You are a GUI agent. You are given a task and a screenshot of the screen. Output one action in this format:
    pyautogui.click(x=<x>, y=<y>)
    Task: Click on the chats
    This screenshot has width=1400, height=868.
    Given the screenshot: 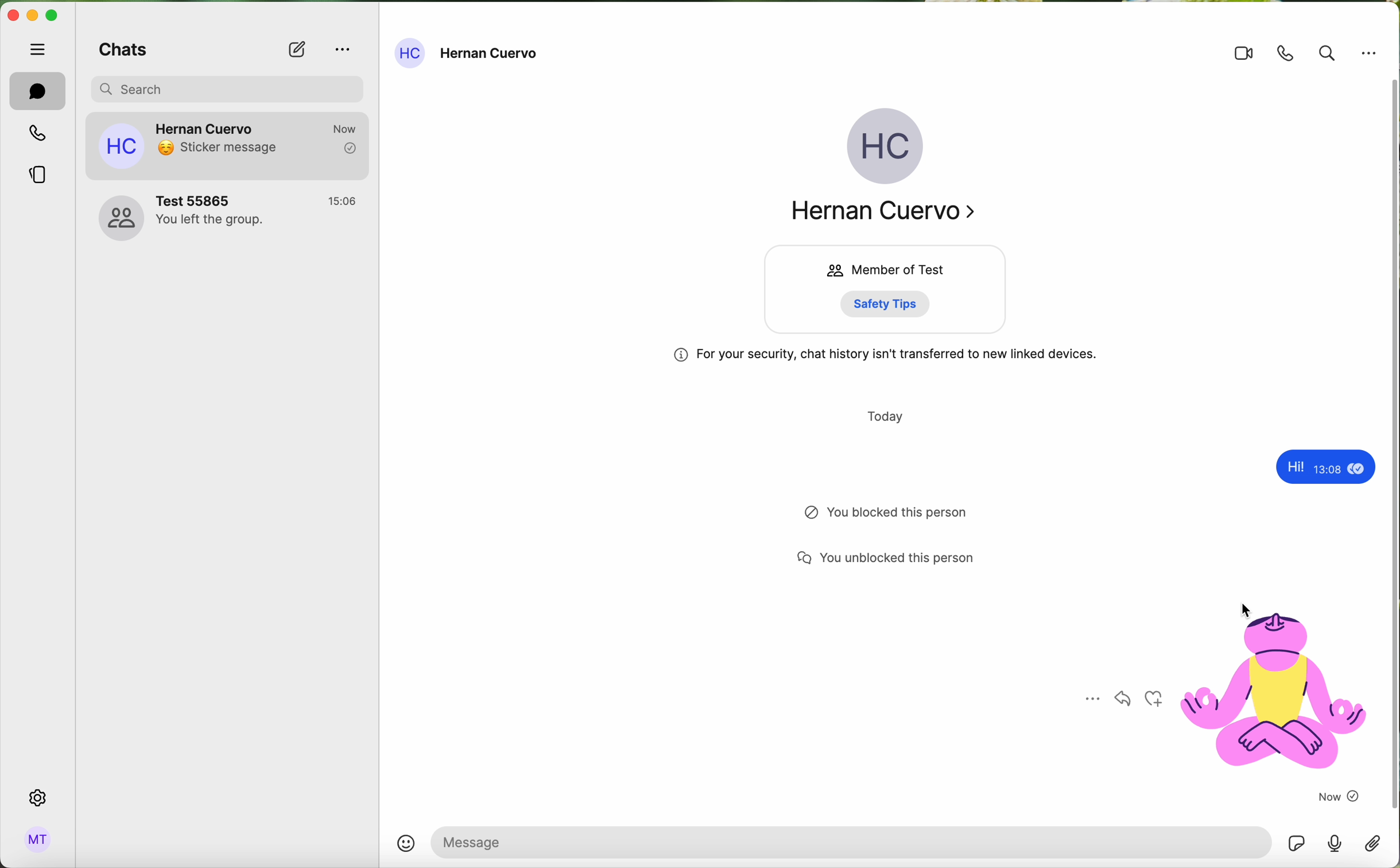 What is the action you would take?
    pyautogui.click(x=122, y=52)
    